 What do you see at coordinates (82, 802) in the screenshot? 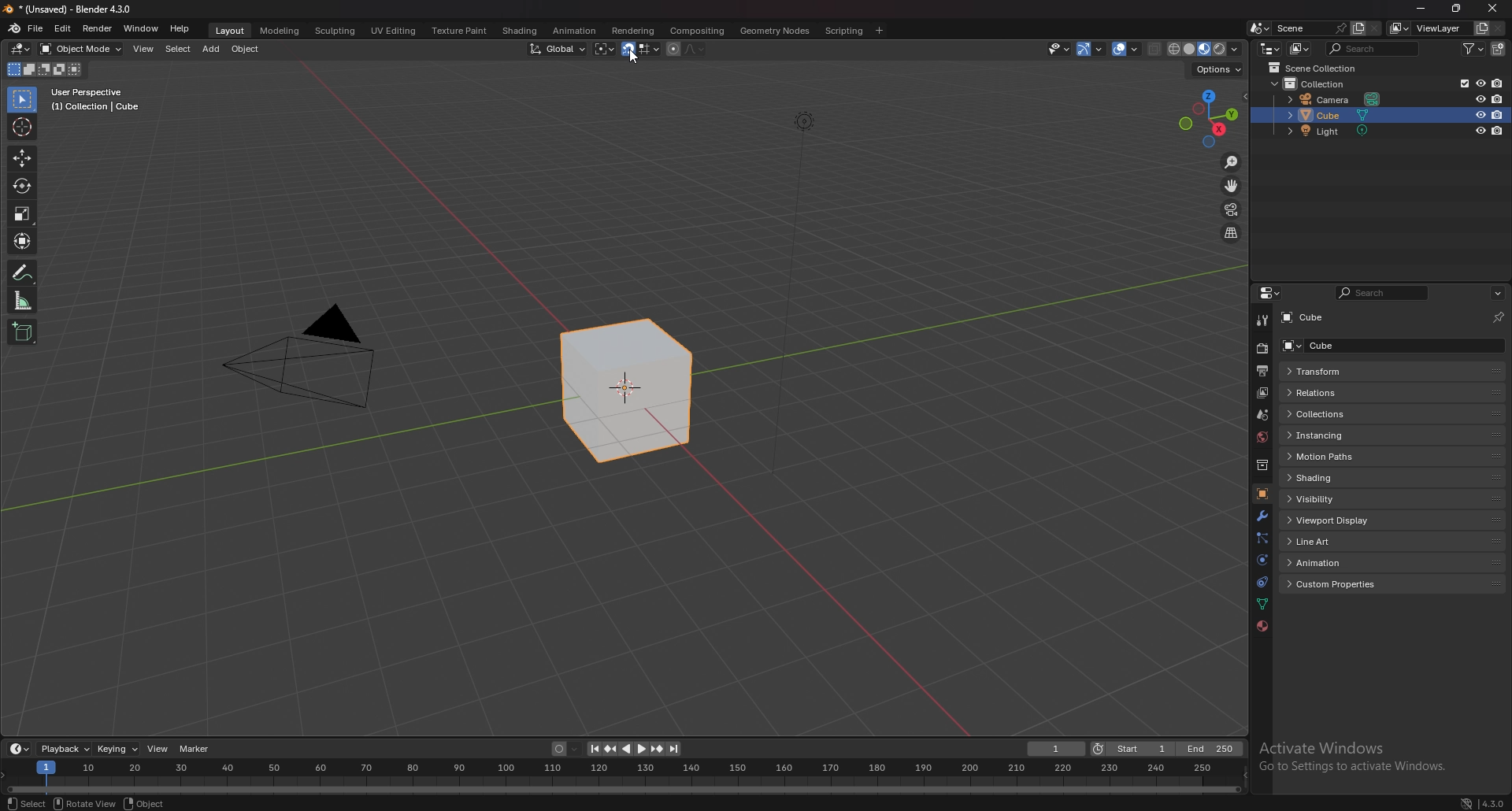
I see `rotate view` at bounding box center [82, 802].